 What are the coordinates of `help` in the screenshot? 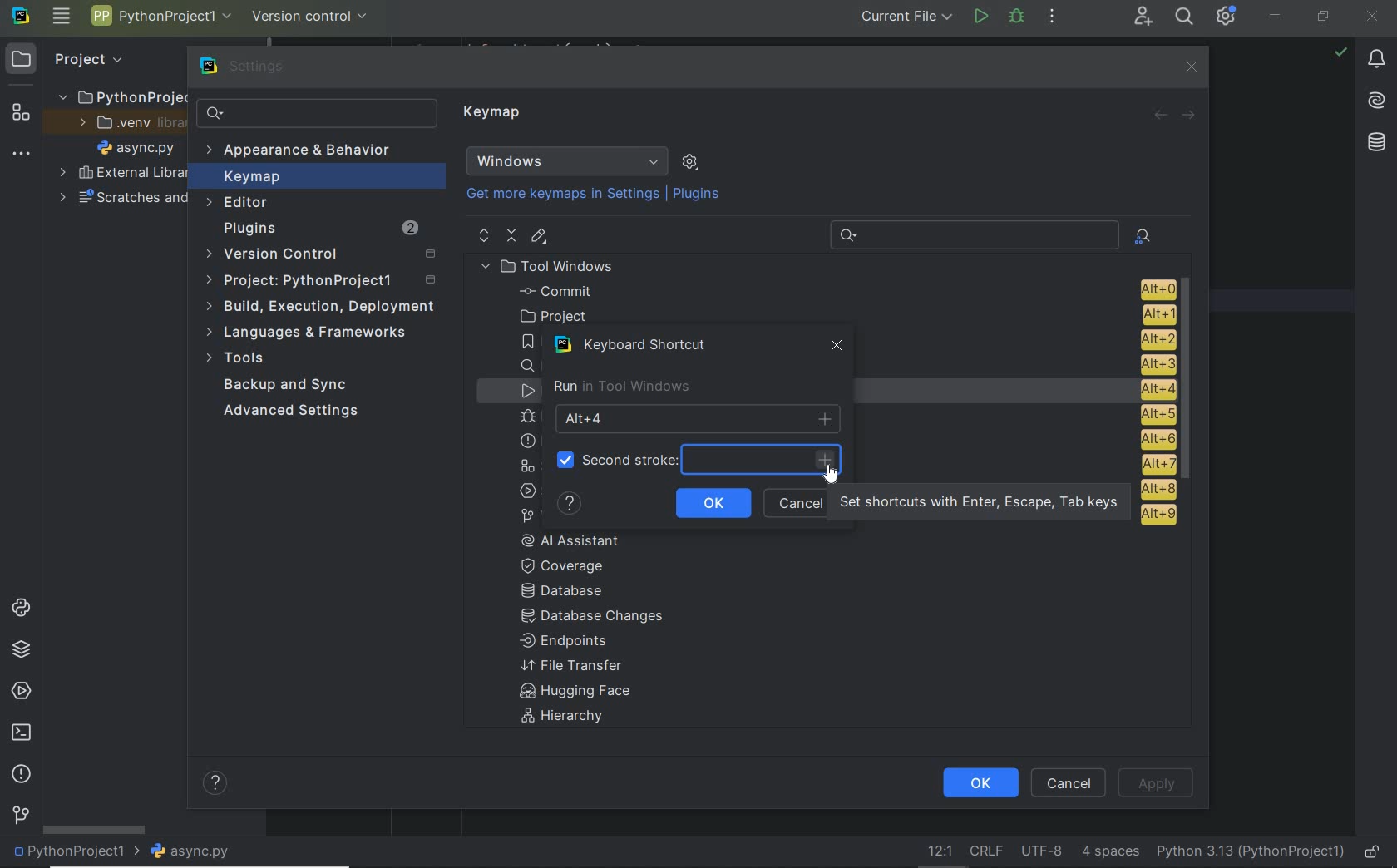 It's located at (570, 504).